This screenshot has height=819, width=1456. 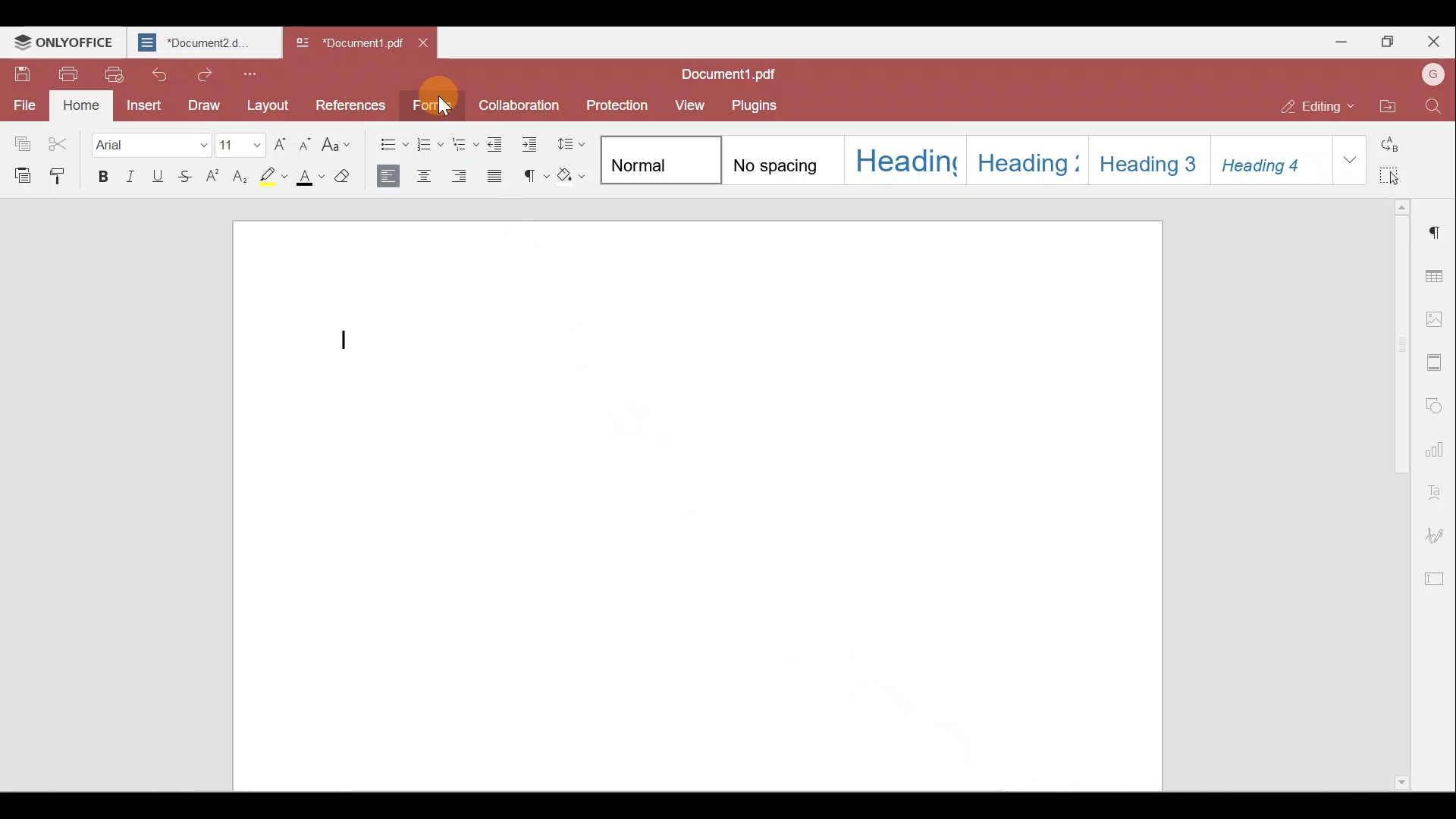 What do you see at coordinates (1436, 271) in the screenshot?
I see `Table settings` at bounding box center [1436, 271].